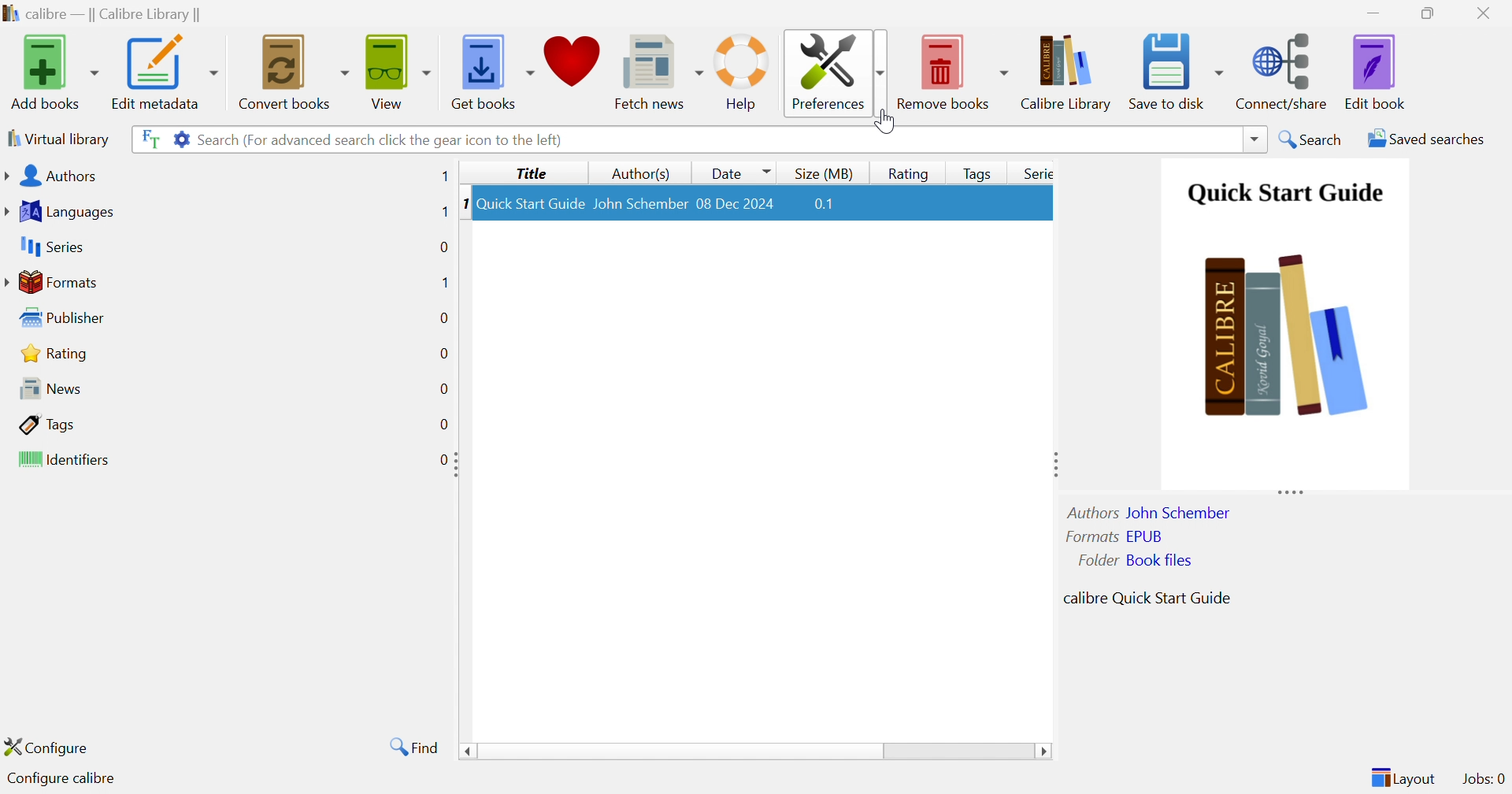 The height and width of the screenshot is (794, 1512). What do you see at coordinates (48, 424) in the screenshot?
I see `Tags` at bounding box center [48, 424].